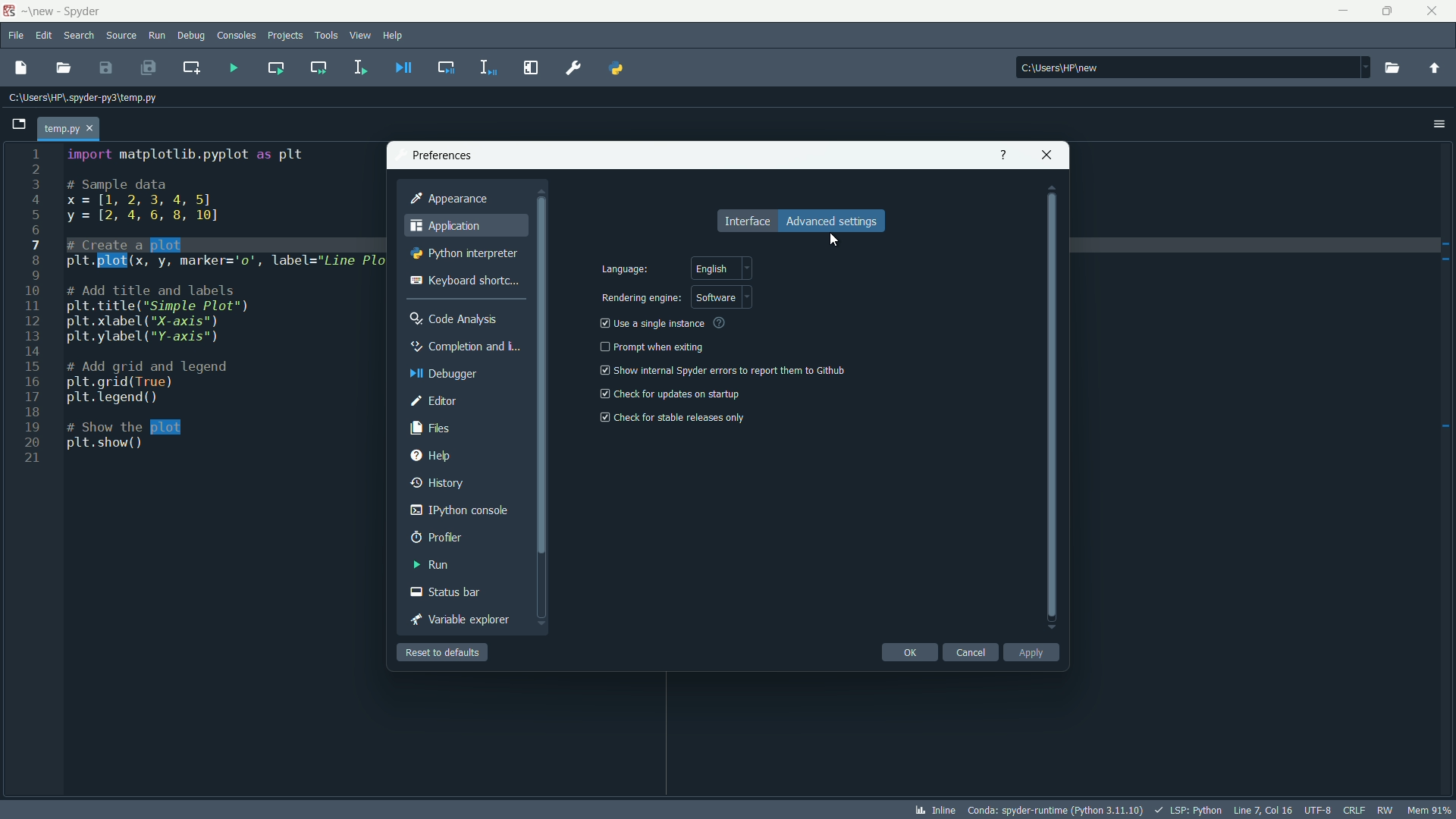  I want to click on file, so click(17, 36).